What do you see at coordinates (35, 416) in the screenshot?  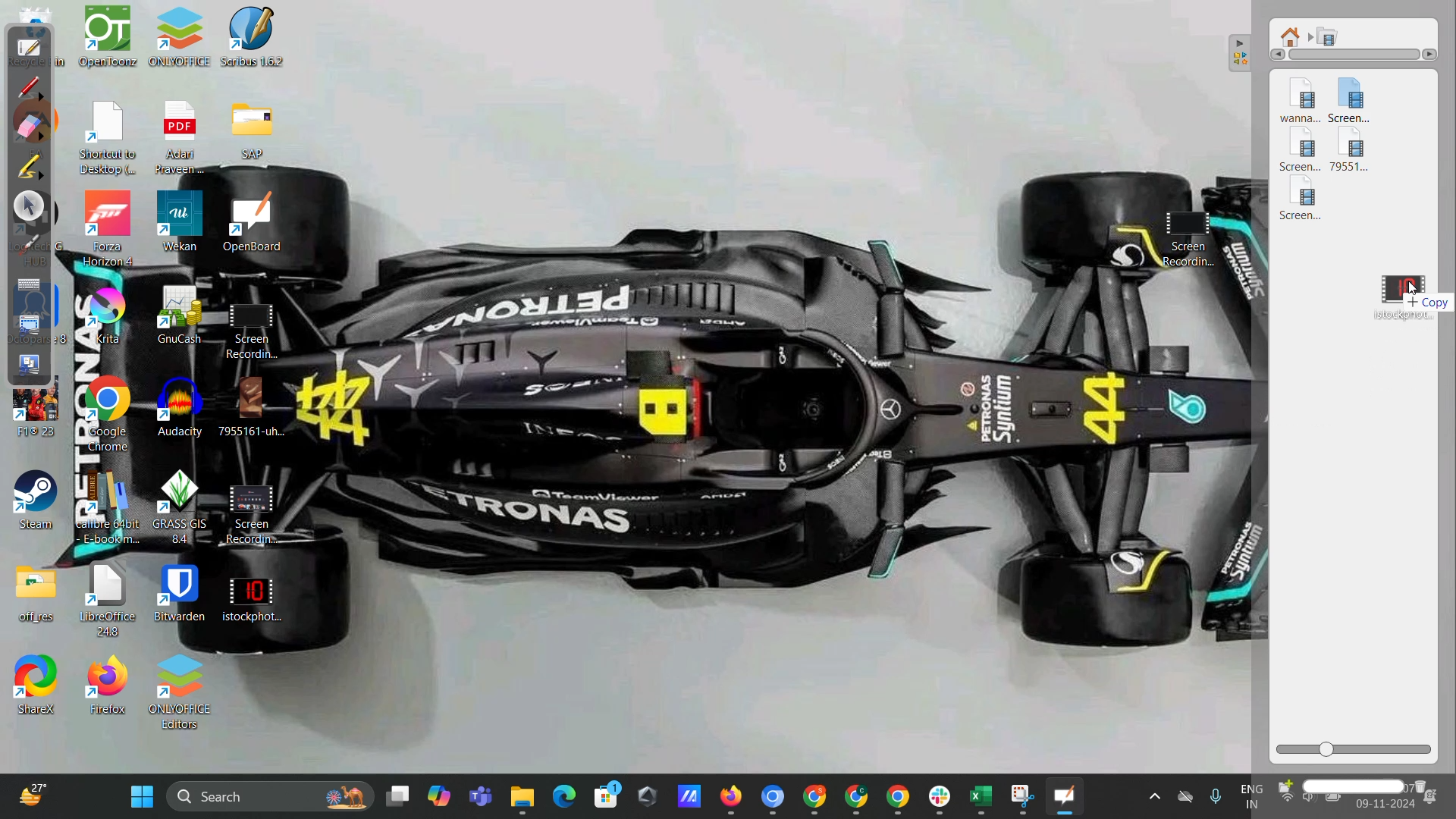 I see `shortcuts on desktop 15` at bounding box center [35, 416].